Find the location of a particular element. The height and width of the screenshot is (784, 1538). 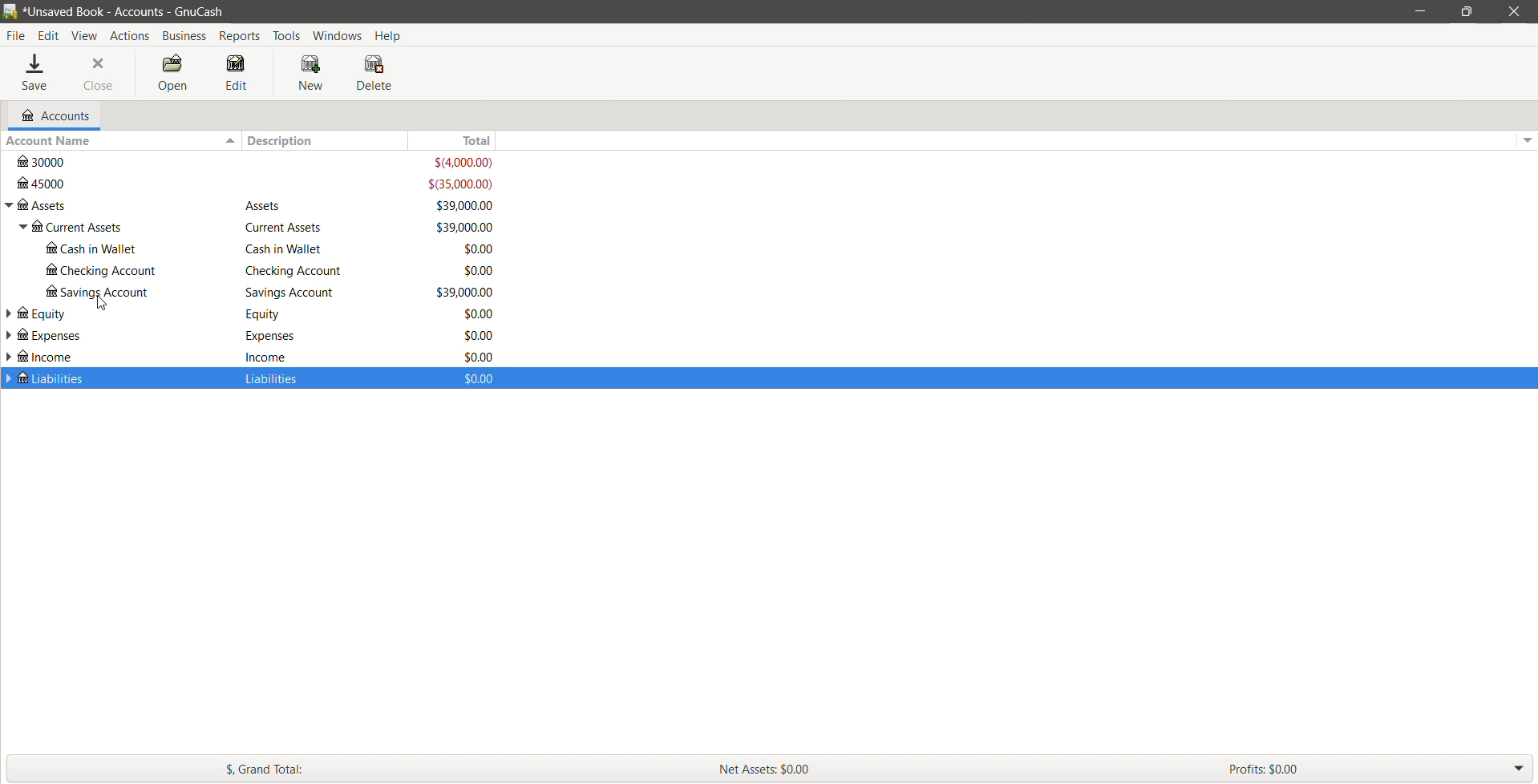

3000 is located at coordinates (122, 161).